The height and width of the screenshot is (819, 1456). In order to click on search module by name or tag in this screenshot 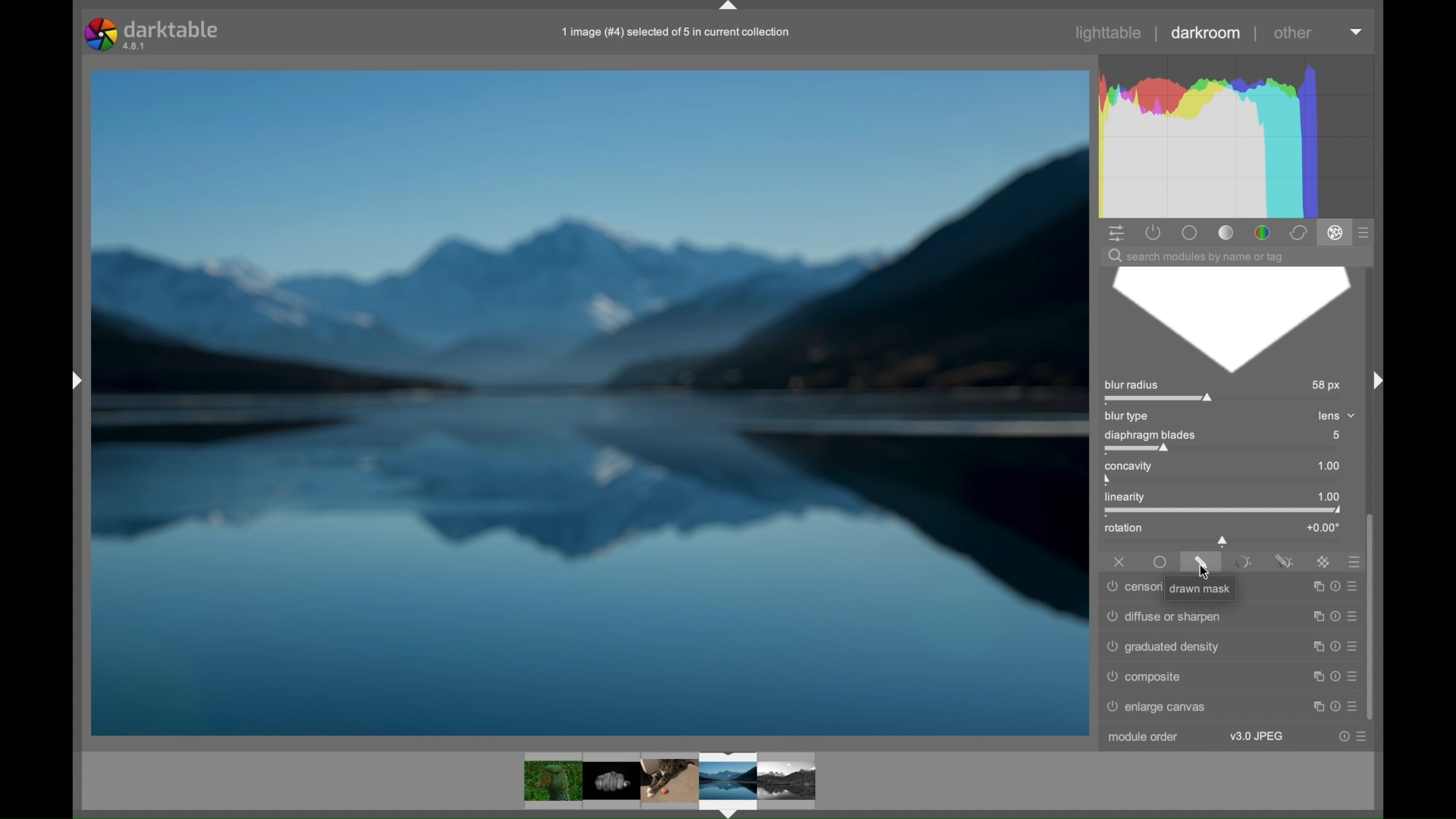, I will do `click(1196, 256)`.